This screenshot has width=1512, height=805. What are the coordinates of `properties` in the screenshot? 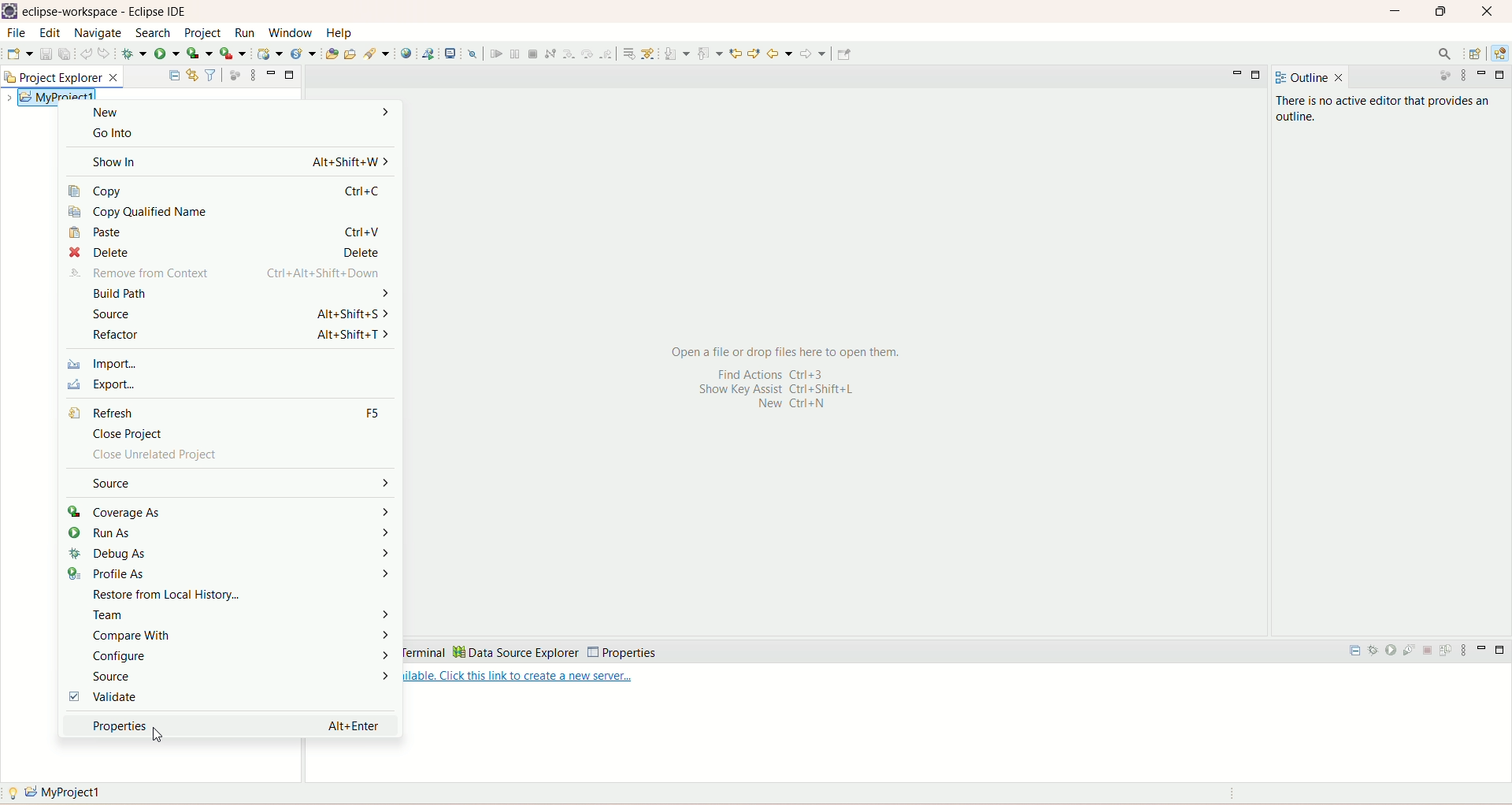 It's located at (621, 652).